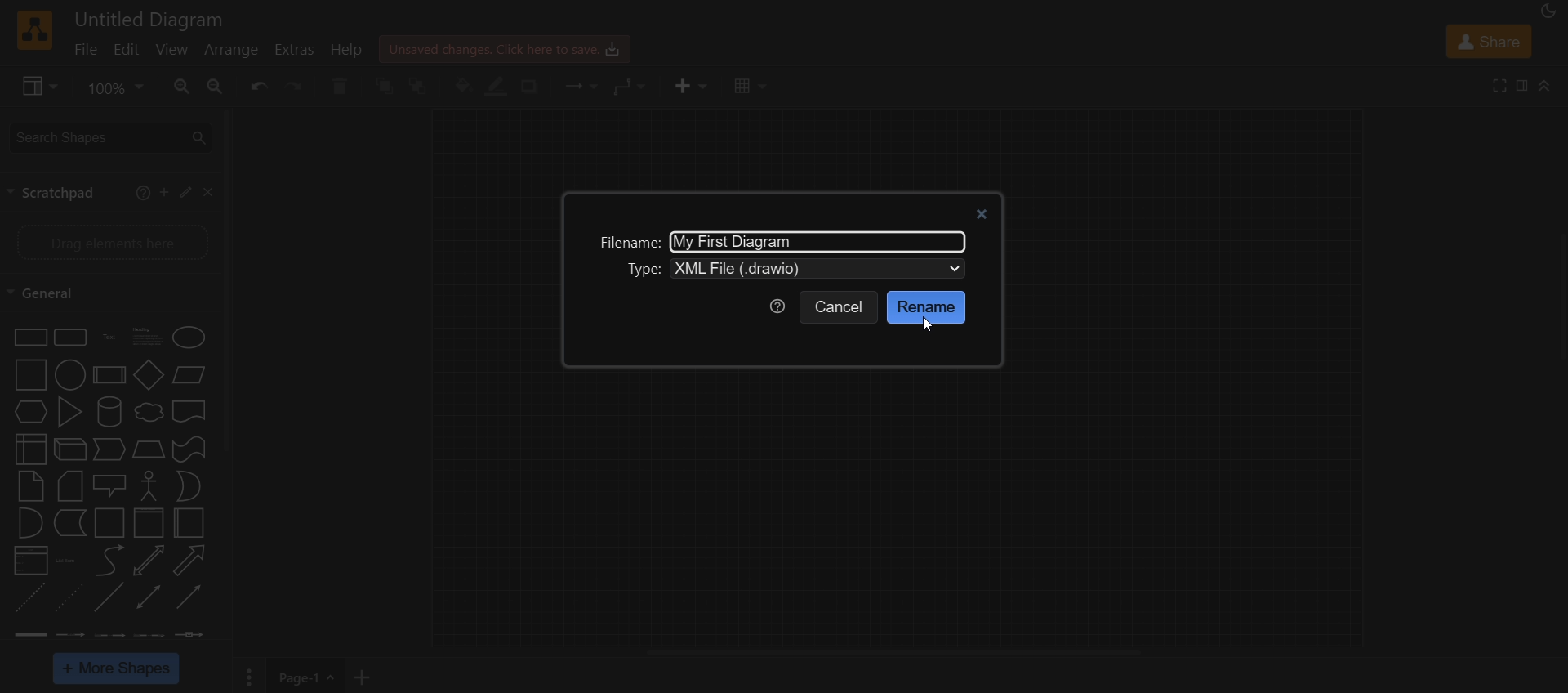 The height and width of the screenshot is (693, 1568). What do you see at coordinates (109, 136) in the screenshot?
I see `search shapes` at bounding box center [109, 136].